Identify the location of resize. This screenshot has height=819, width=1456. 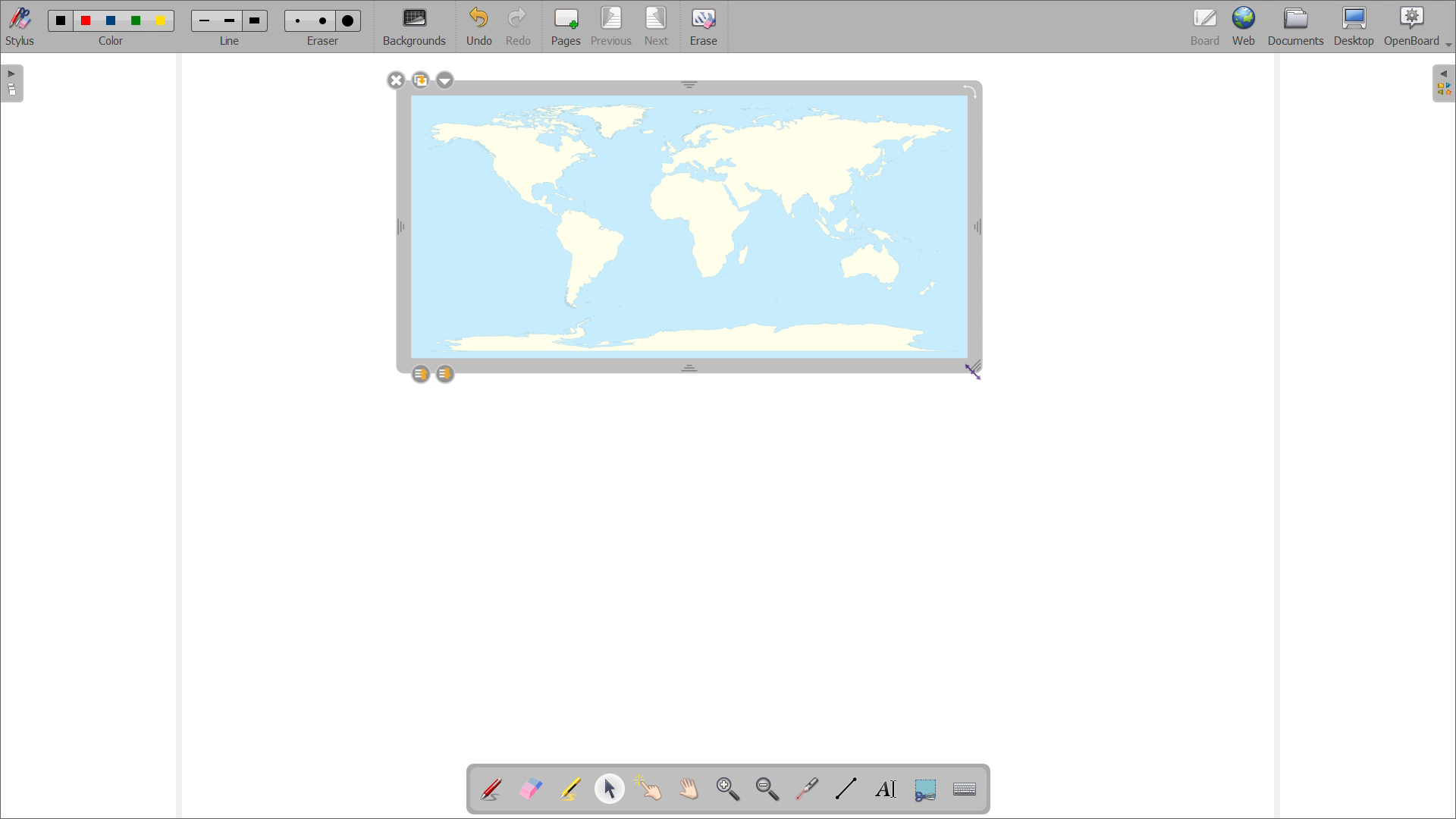
(979, 226).